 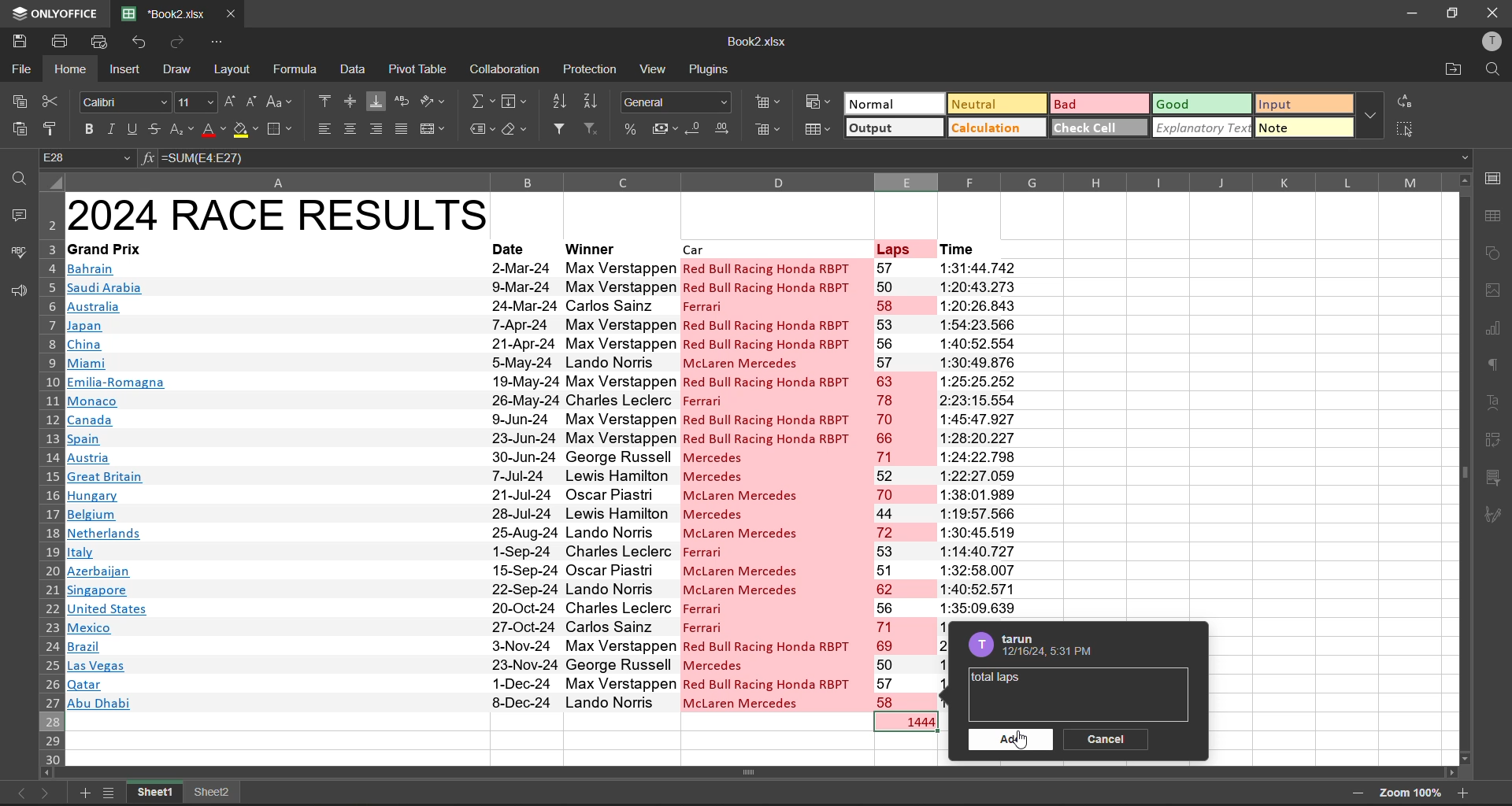 What do you see at coordinates (523, 484) in the screenshot?
I see `date` at bounding box center [523, 484].